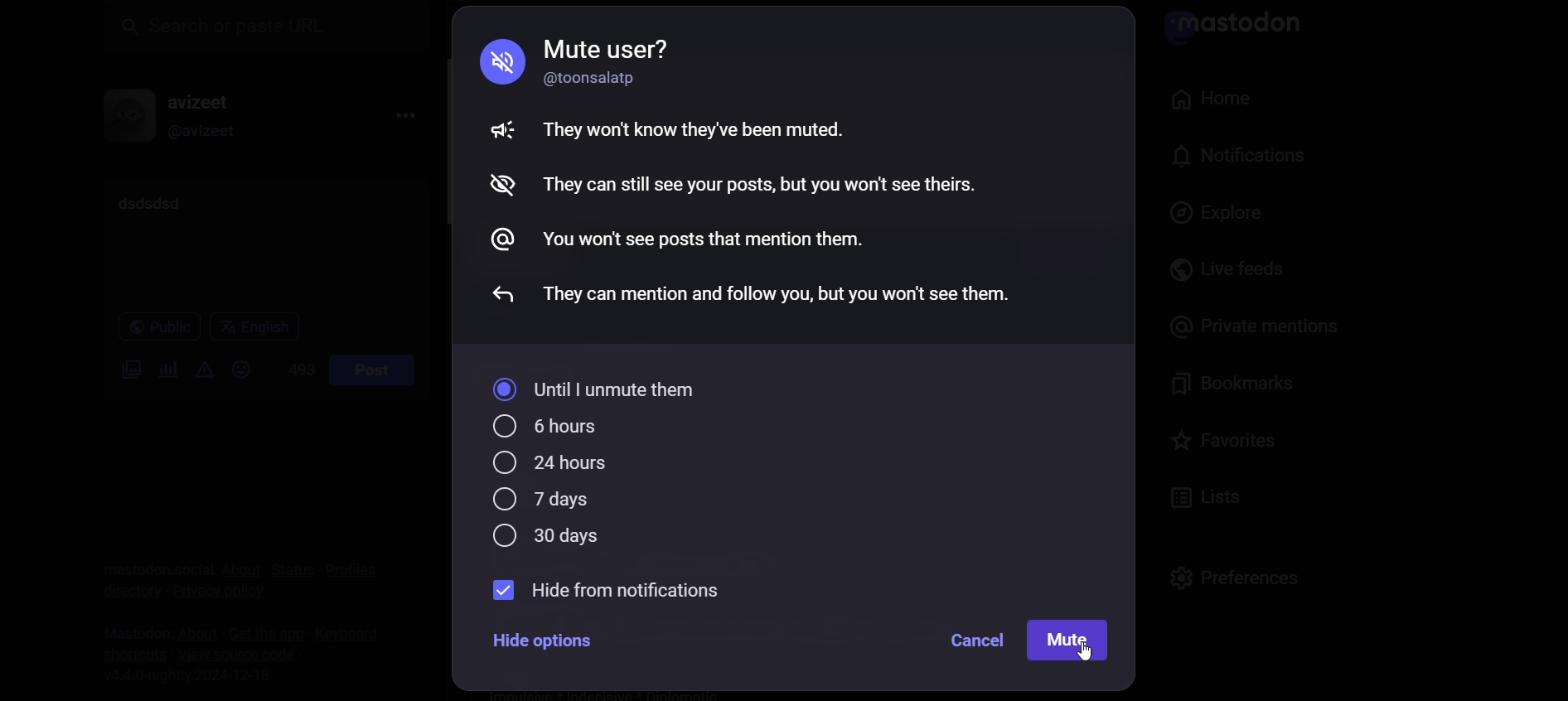 The width and height of the screenshot is (1568, 701). I want to click on @username, so click(207, 135).